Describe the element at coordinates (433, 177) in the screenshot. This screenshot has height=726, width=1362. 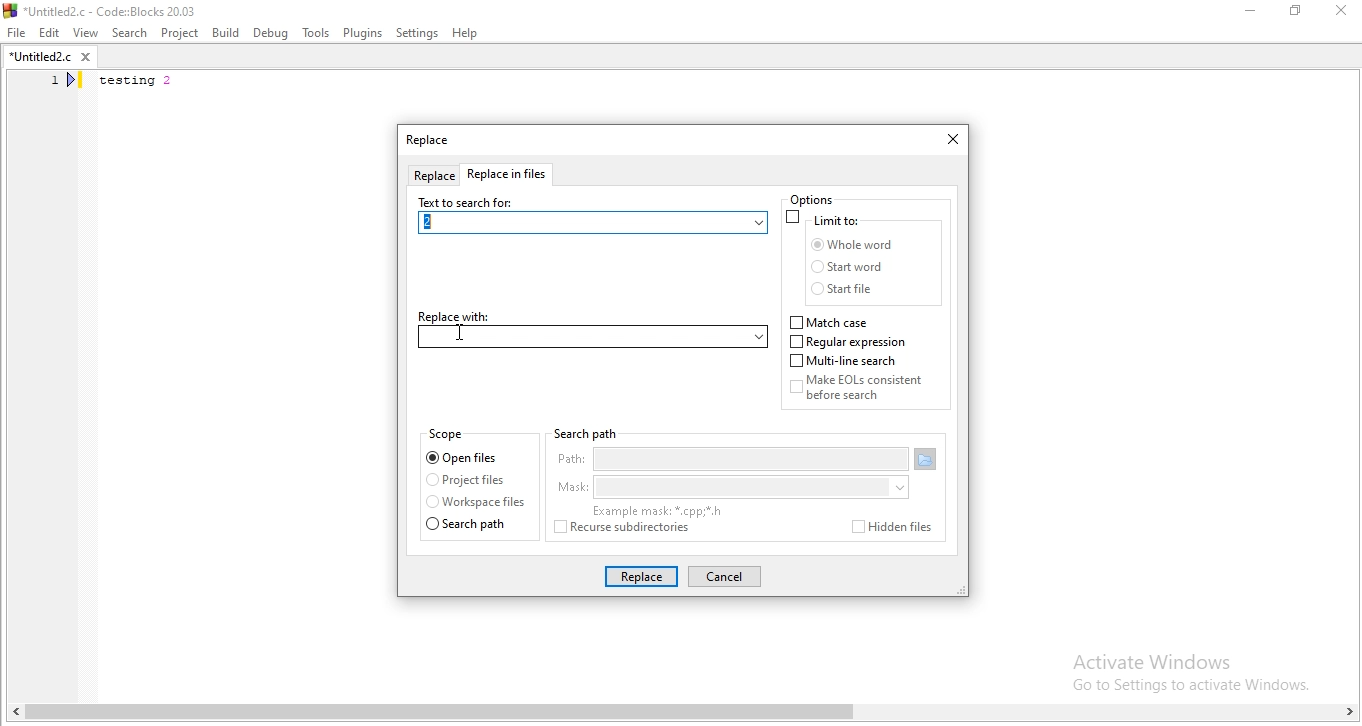
I see `replace` at that location.